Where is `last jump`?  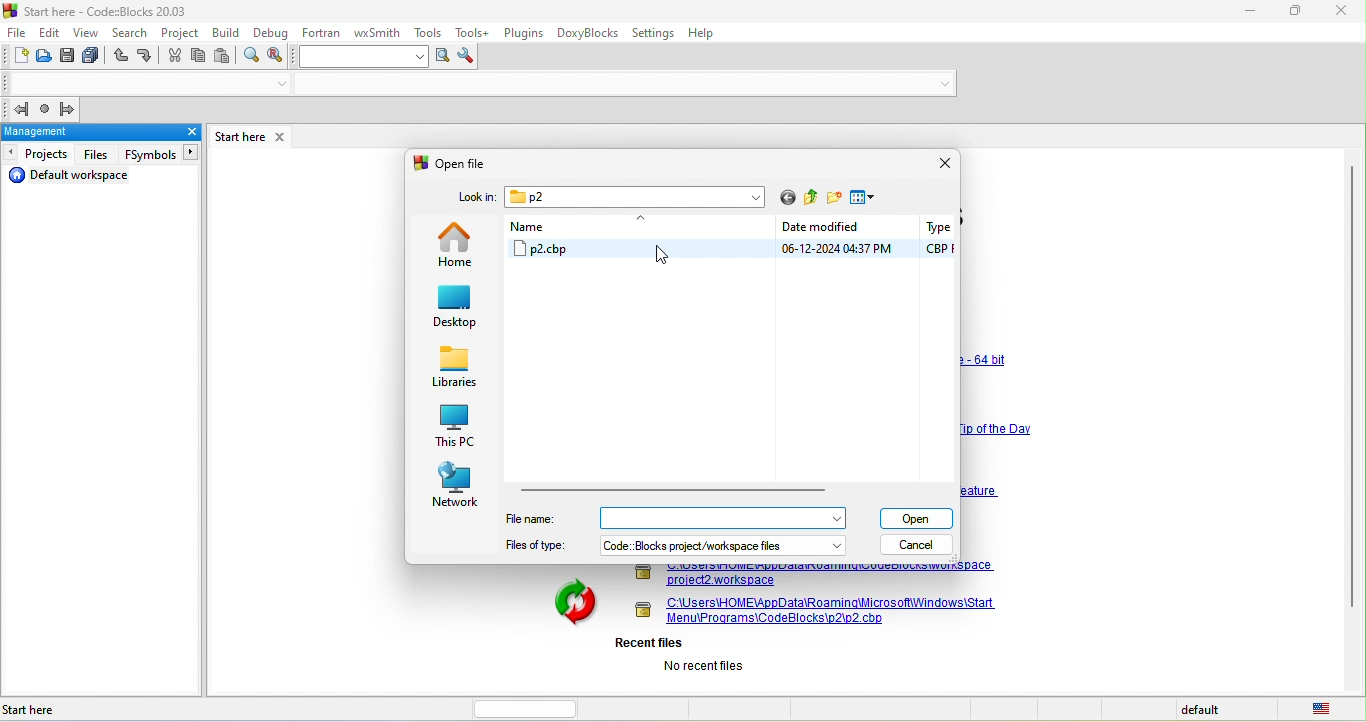 last jump is located at coordinates (48, 109).